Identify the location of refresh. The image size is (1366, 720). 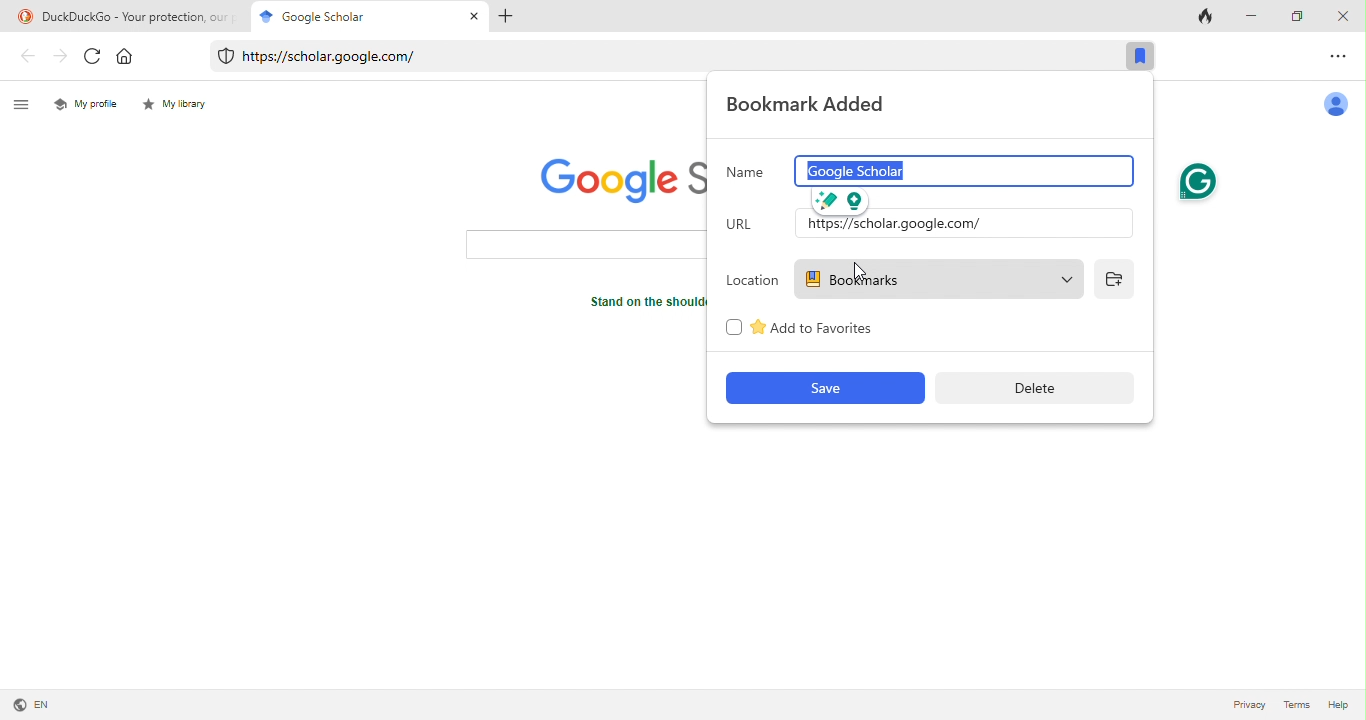
(94, 59).